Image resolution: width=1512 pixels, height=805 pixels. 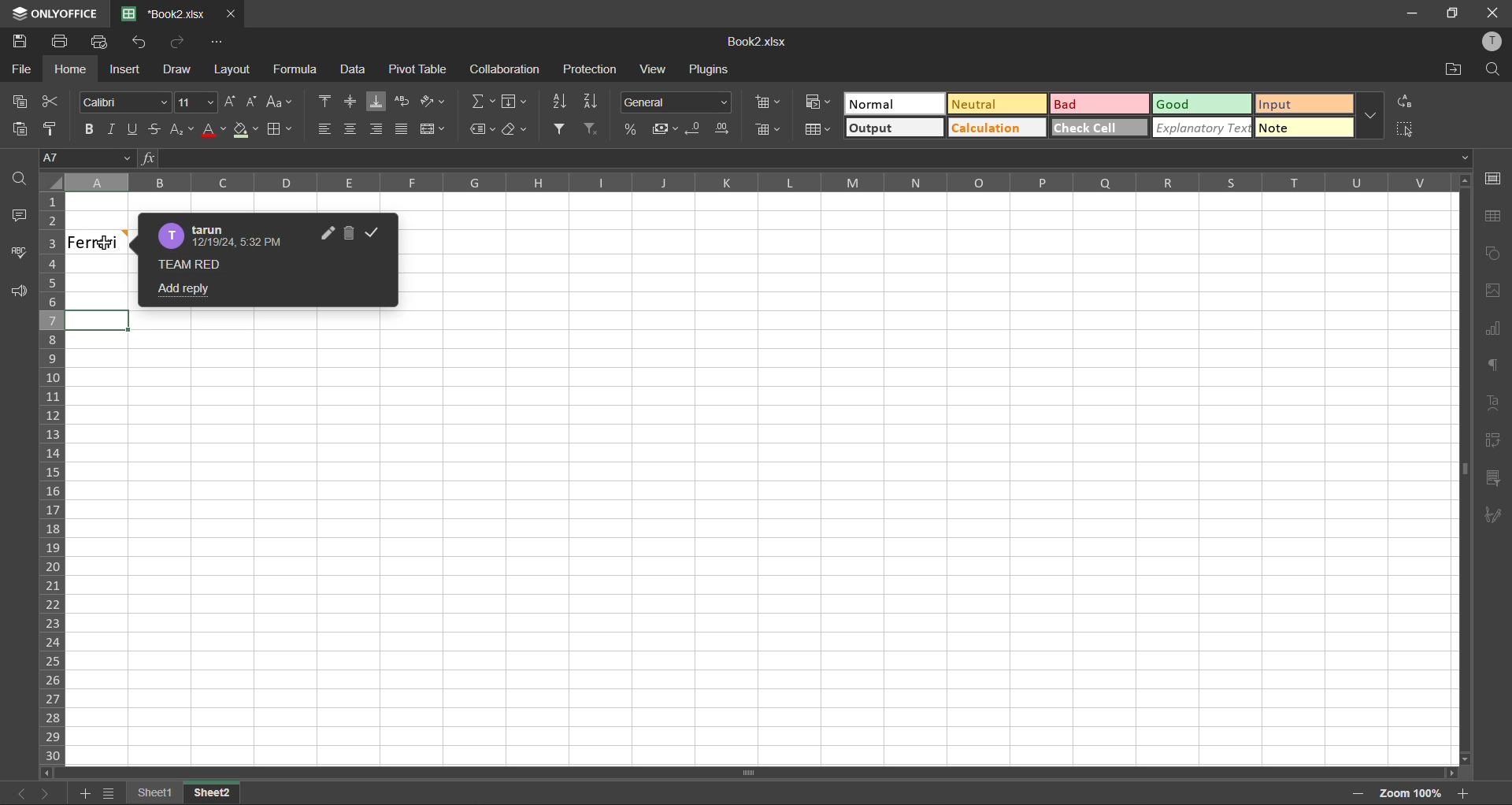 What do you see at coordinates (181, 291) in the screenshot?
I see `add reply` at bounding box center [181, 291].